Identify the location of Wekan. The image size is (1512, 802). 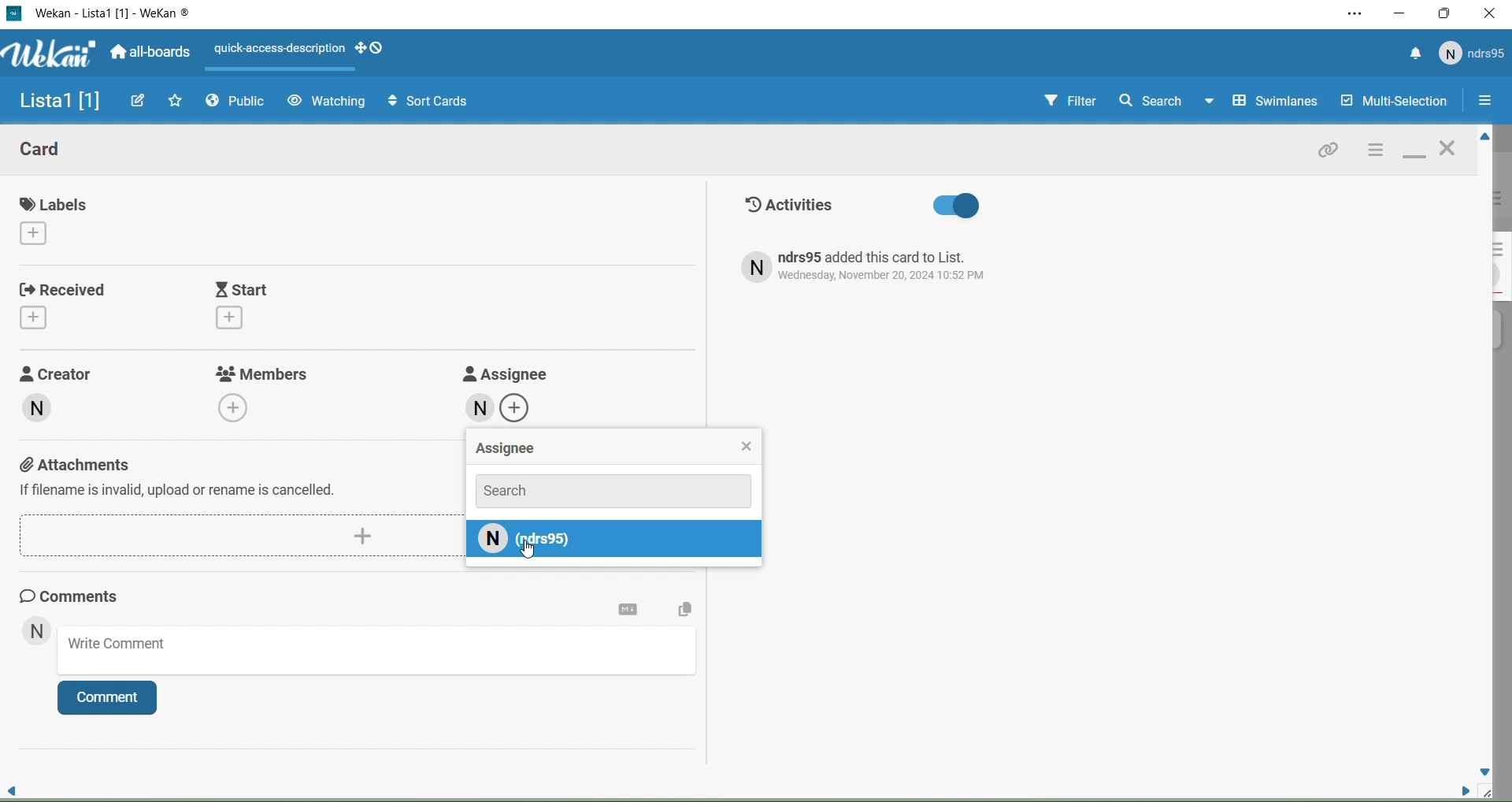
(113, 14).